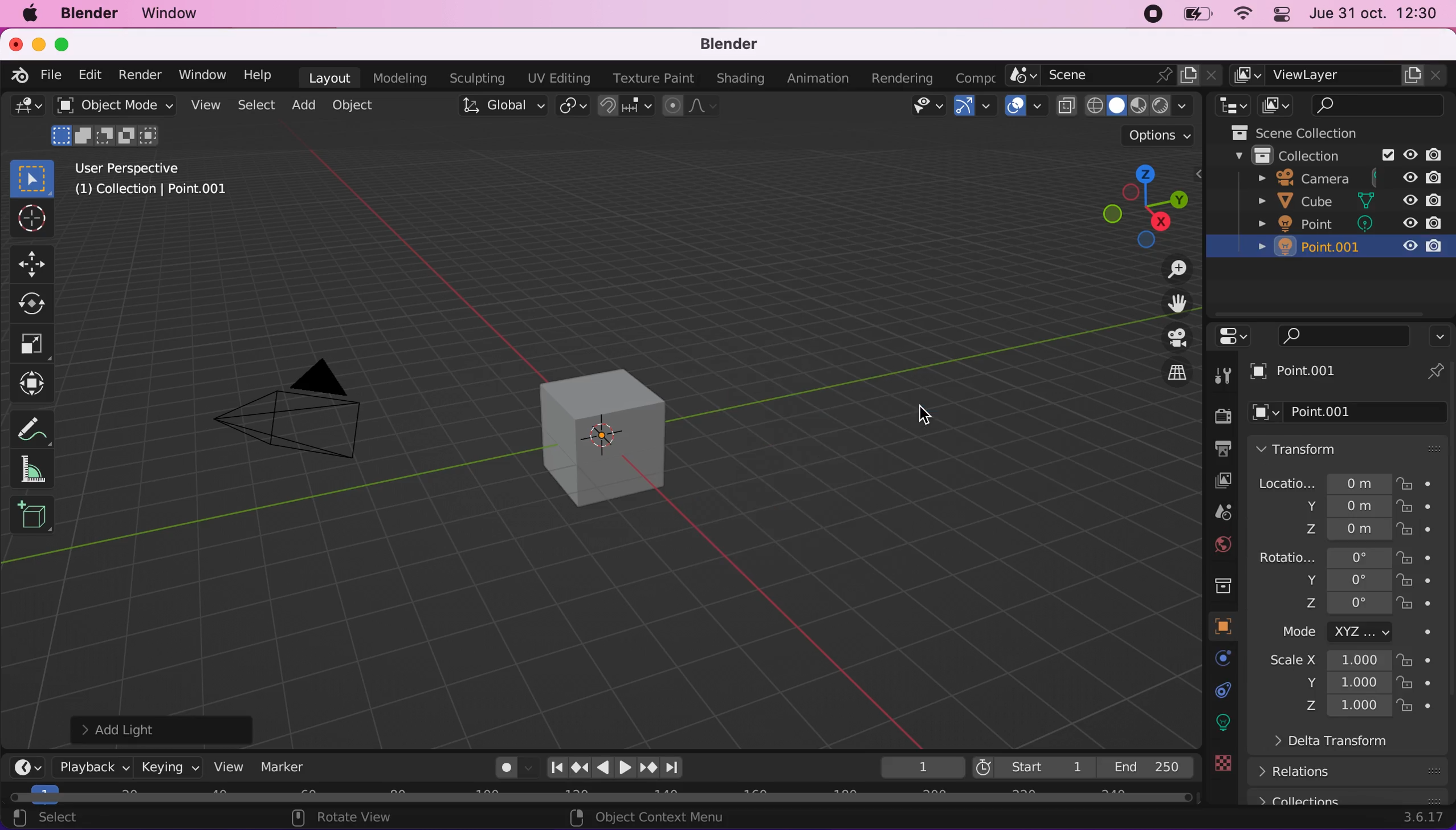  I want to click on Jump to endpoint, so click(675, 766).